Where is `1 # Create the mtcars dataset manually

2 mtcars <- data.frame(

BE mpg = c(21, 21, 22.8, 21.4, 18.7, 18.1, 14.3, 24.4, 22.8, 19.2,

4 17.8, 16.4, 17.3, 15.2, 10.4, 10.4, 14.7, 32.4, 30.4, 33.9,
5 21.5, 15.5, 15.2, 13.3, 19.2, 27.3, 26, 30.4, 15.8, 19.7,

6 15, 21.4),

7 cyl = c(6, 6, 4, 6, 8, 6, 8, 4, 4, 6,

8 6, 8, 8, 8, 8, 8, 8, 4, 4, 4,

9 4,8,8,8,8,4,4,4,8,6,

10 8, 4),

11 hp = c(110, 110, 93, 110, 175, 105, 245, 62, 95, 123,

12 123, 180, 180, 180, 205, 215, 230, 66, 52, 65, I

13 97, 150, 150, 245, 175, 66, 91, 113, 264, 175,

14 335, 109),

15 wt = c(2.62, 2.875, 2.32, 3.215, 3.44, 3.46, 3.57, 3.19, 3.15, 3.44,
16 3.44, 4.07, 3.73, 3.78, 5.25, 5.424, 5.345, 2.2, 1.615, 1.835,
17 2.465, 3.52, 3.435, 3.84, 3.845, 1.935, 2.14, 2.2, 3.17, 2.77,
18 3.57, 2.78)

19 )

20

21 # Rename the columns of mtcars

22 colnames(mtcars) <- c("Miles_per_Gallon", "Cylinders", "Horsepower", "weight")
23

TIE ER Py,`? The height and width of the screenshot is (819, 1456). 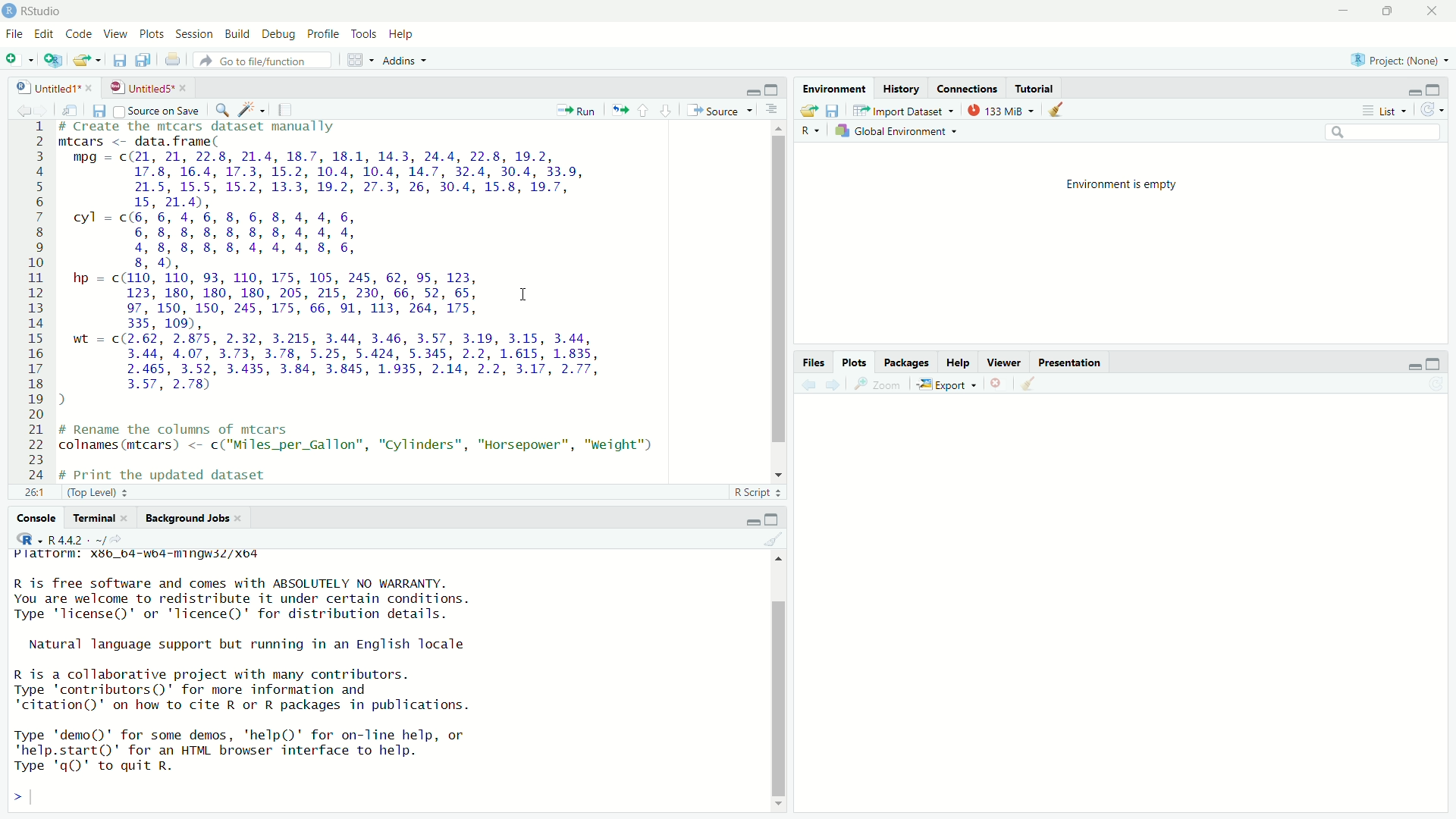
1 # Create the mtcars dataset manually

2 mtcars <- data.frame(

BE mpg = c(21, 21, 22.8, 21.4, 18.7, 18.1, 14.3, 24.4, 22.8, 19.2,

4 17.8, 16.4, 17.3, 15.2, 10.4, 10.4, 14.7, 32.4, 30.4, 33.9,
5 21.5, 15.5, 15.2, 13.3, 19.2, 27.3, 26, 30.4, 15.8, 19.7,

6 15, 21.4),

7 cyl = c(6, 6, 4, 6, 8, 6, 8, 4, 4, 6,

8 6, 8, 8, 8, 8, 8, 8, 4, 4, 4,

9 4,8,8,8,8,4,4,4,8,6,

10 8, 4),

11 hp = c(110, 110, 93, 110, 175, 105, 245, 62, 95, 123,

12 123, 180, 180, 180, 205, 215, 230, 66, 52, 65, I

13 97, 150, 150, 245, 175, 66, 91, 113, 264, 175,

14 335, 109),

15 wt = c(2.62, 2.875, 2.32, 3.215, 3.44, 3.46, 3.57, 3.19, 3.15, 3.44,
16 3.44, 4.07, 3.73, 3.78, 5.25, 5.424, 5.345, 2.2, 1.615, 1.835,
17 2.465, 3.52, 3.435, 3.84, 3.845, 1.935, 2.14, 2.2, 3.17, 2.77,
18 3.57, 2.78)

19 )

20

21 # Rename the columns of mtcars

22 colnames(mtcars) <- c("Miles_per_Gallon", "Cylinders", "Horsepower", "weight")
23

TIE ER Py, is located at coordinates (372, 299).